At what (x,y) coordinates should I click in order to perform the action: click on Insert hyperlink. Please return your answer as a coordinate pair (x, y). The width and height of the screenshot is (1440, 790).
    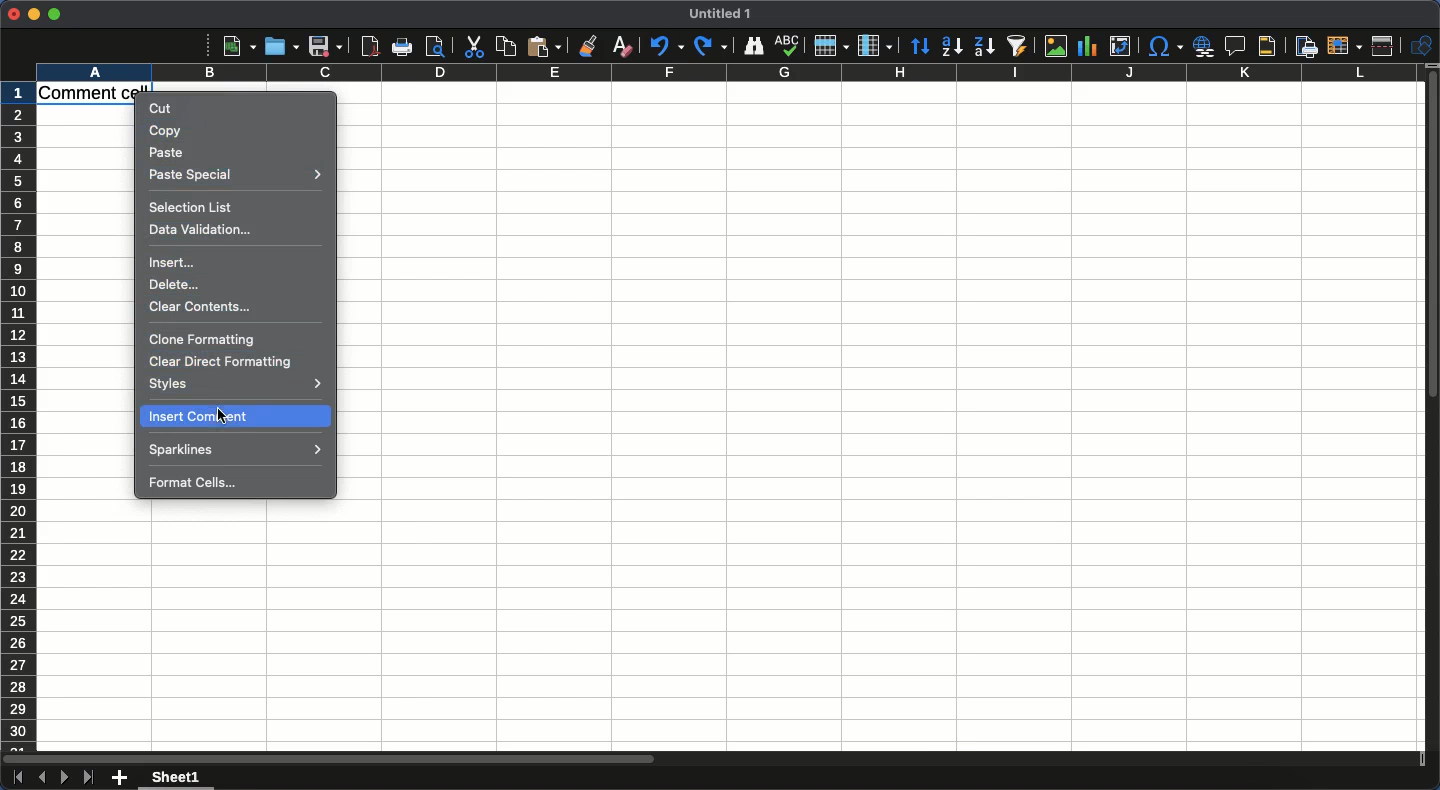
    Looking at the image, I should click on (1202, 45).